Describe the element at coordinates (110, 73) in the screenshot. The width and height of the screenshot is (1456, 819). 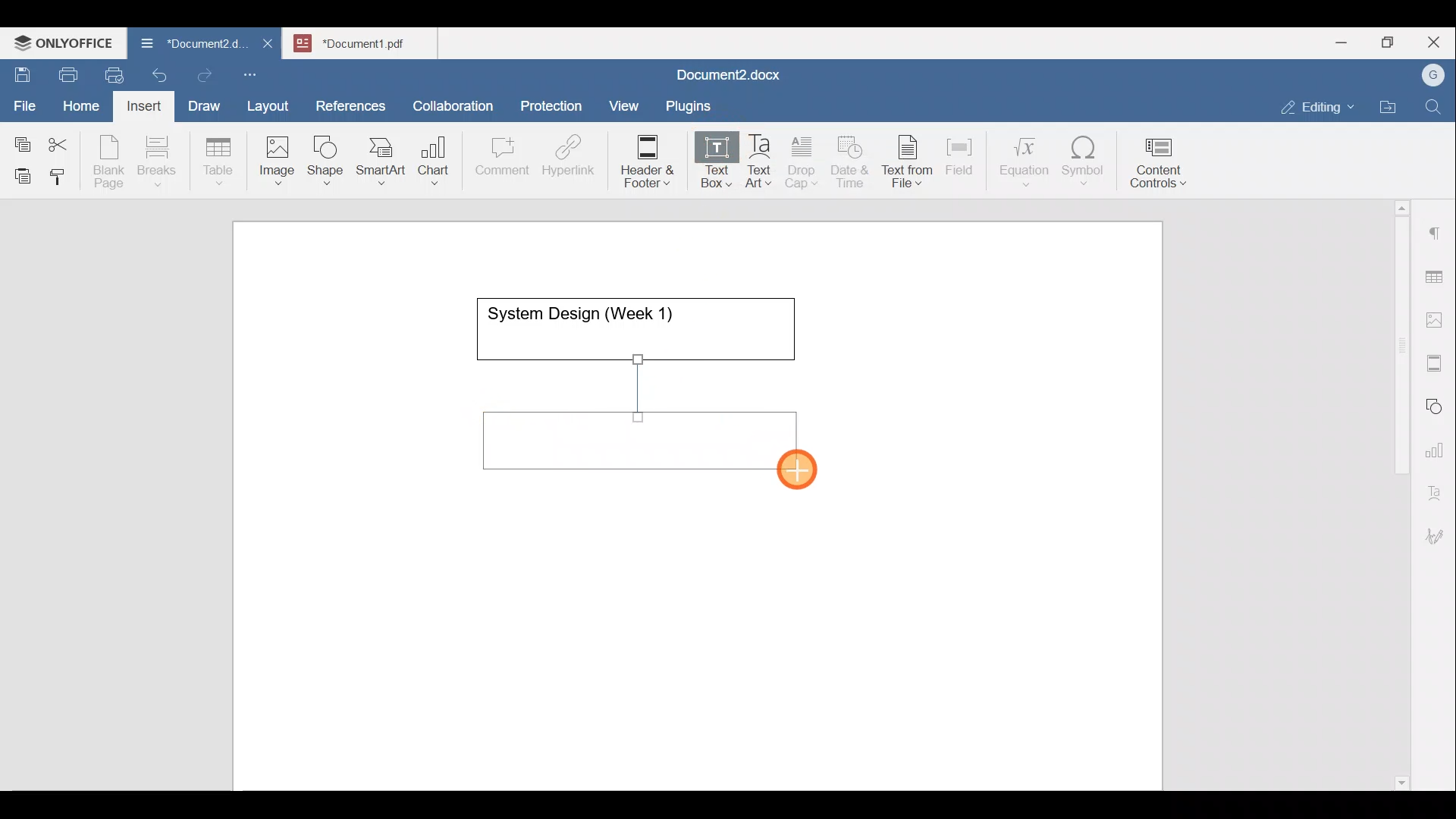
I see `Quick print` at that location.